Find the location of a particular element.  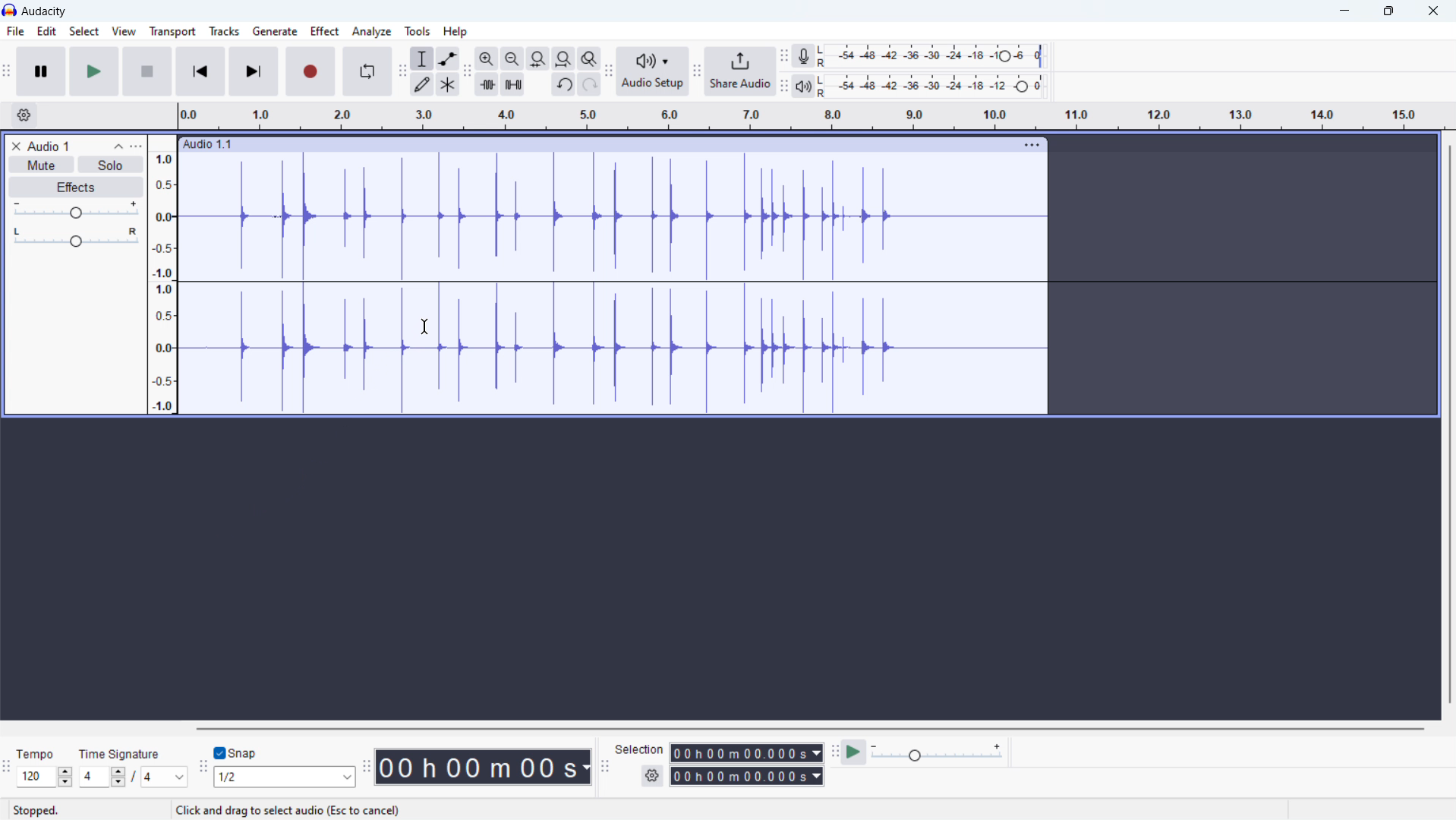

select is located at coordinates (84, 30).